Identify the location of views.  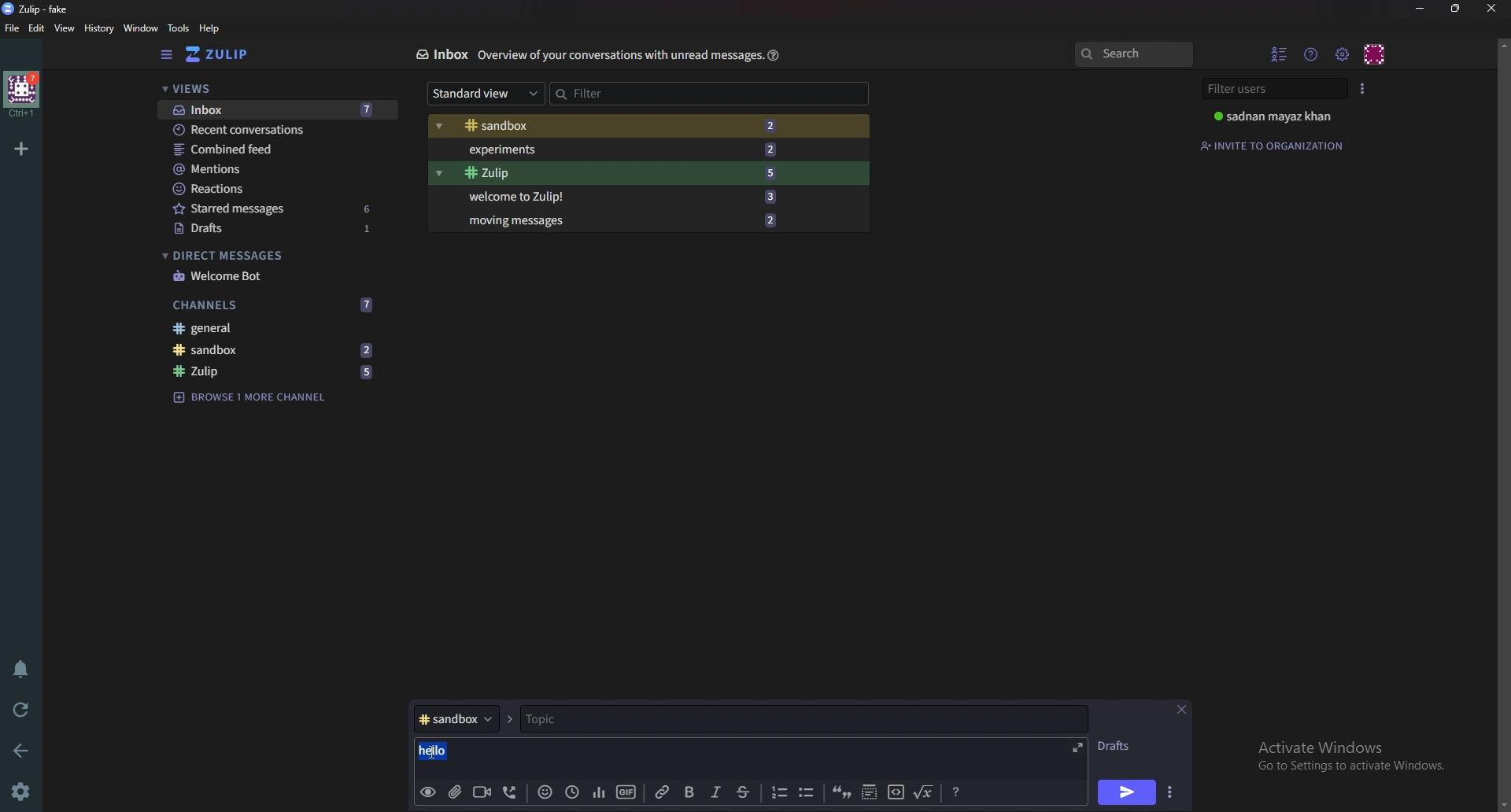
(274, 88).